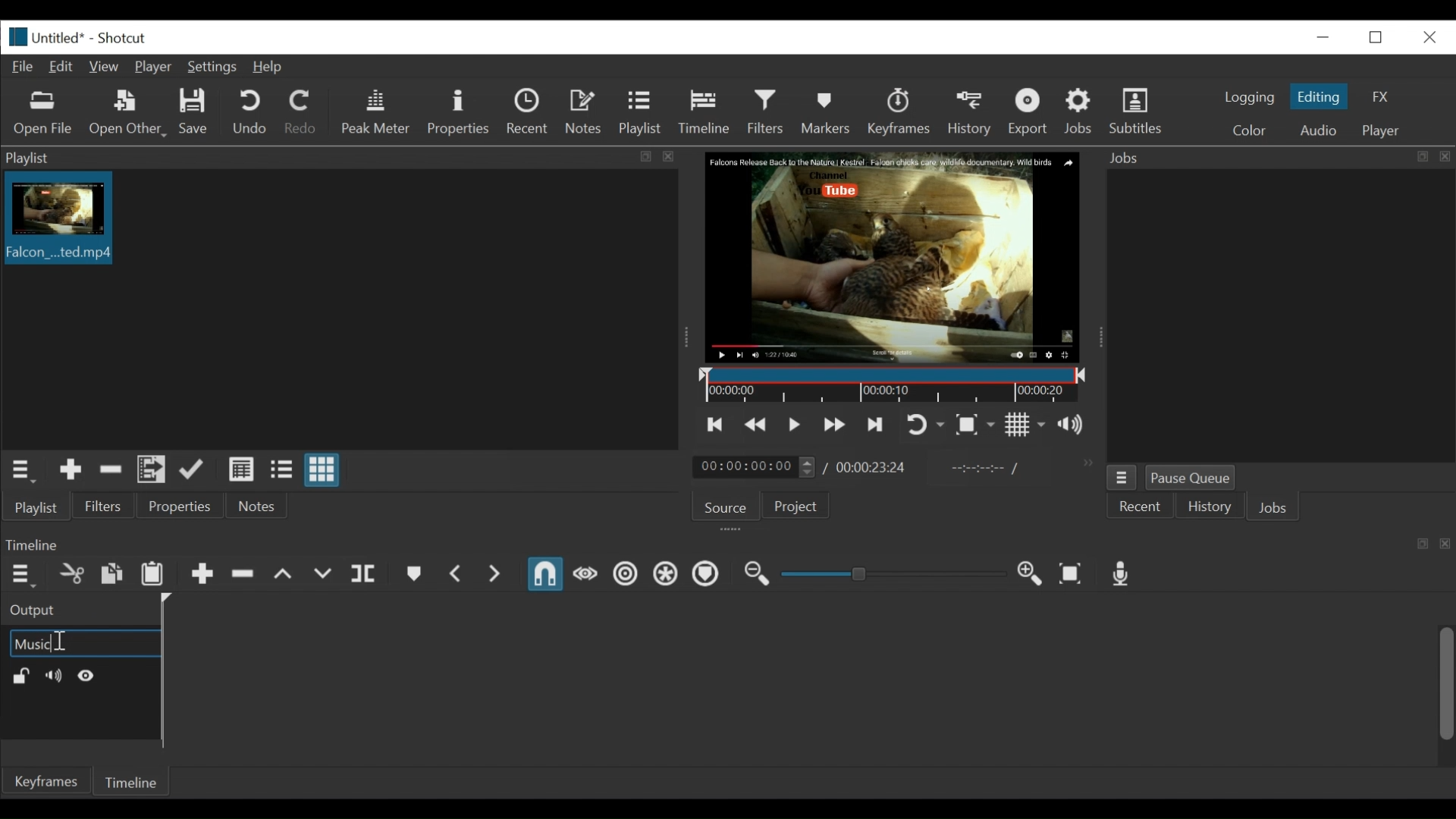  Describe the element at coordinates (281, 471) in the screenshot. I see `View as files` at that location.